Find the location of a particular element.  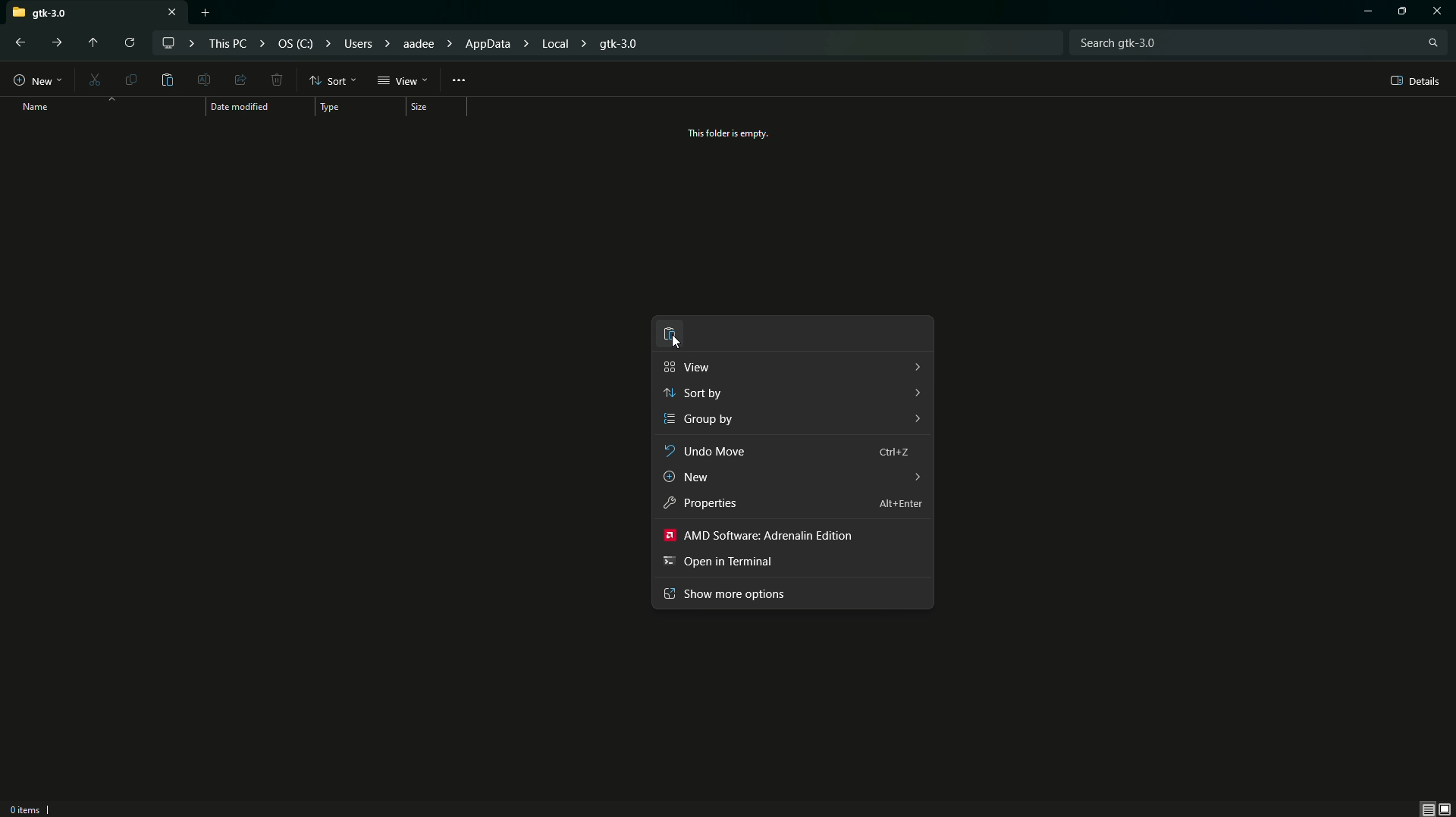

Copy is located at coordinates (131, 80).